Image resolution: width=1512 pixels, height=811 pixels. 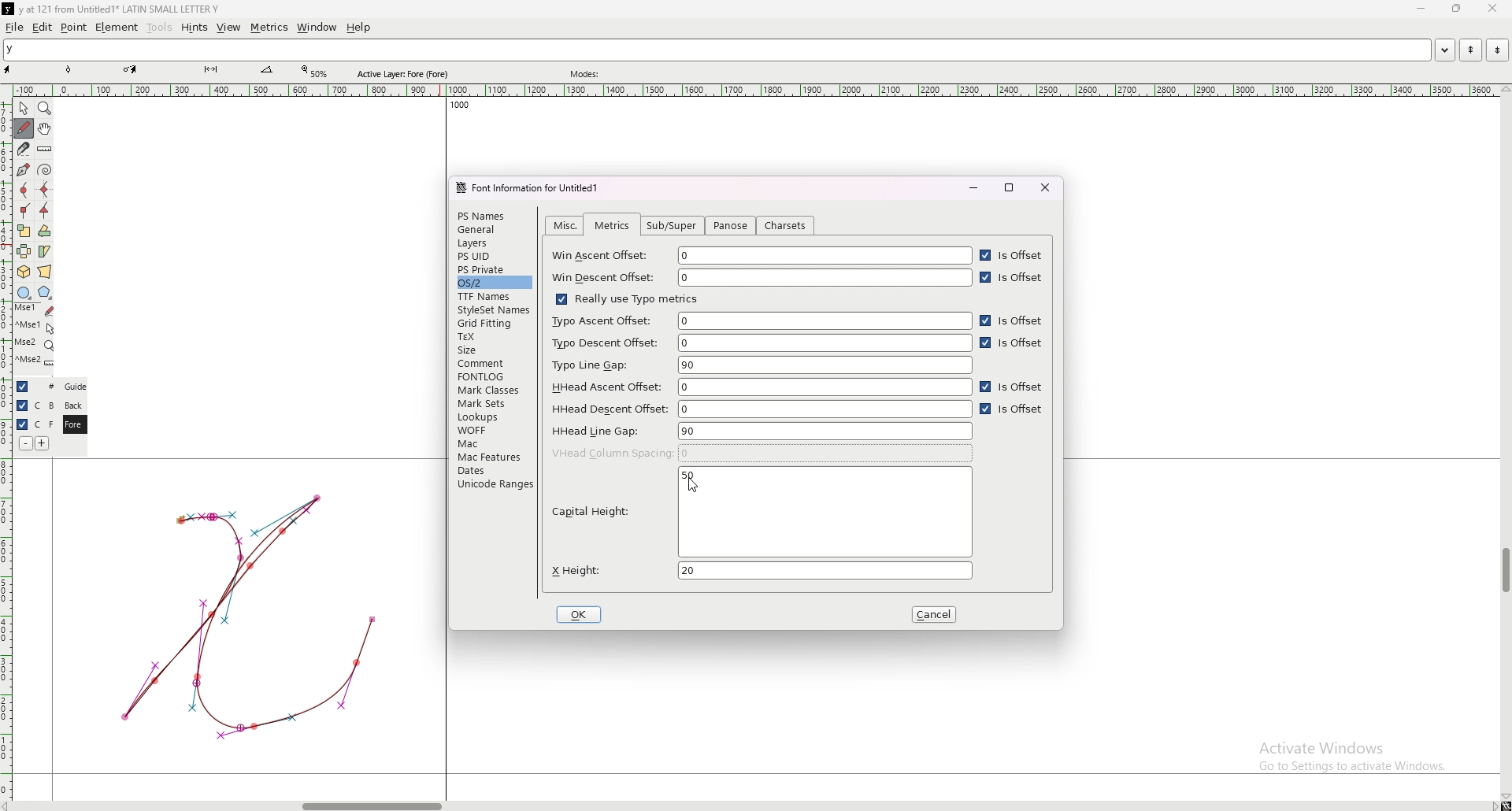 What do you see at coordinates (973, 187) in the screenshot?
I see `minimize` at bounding box center [973, 187].